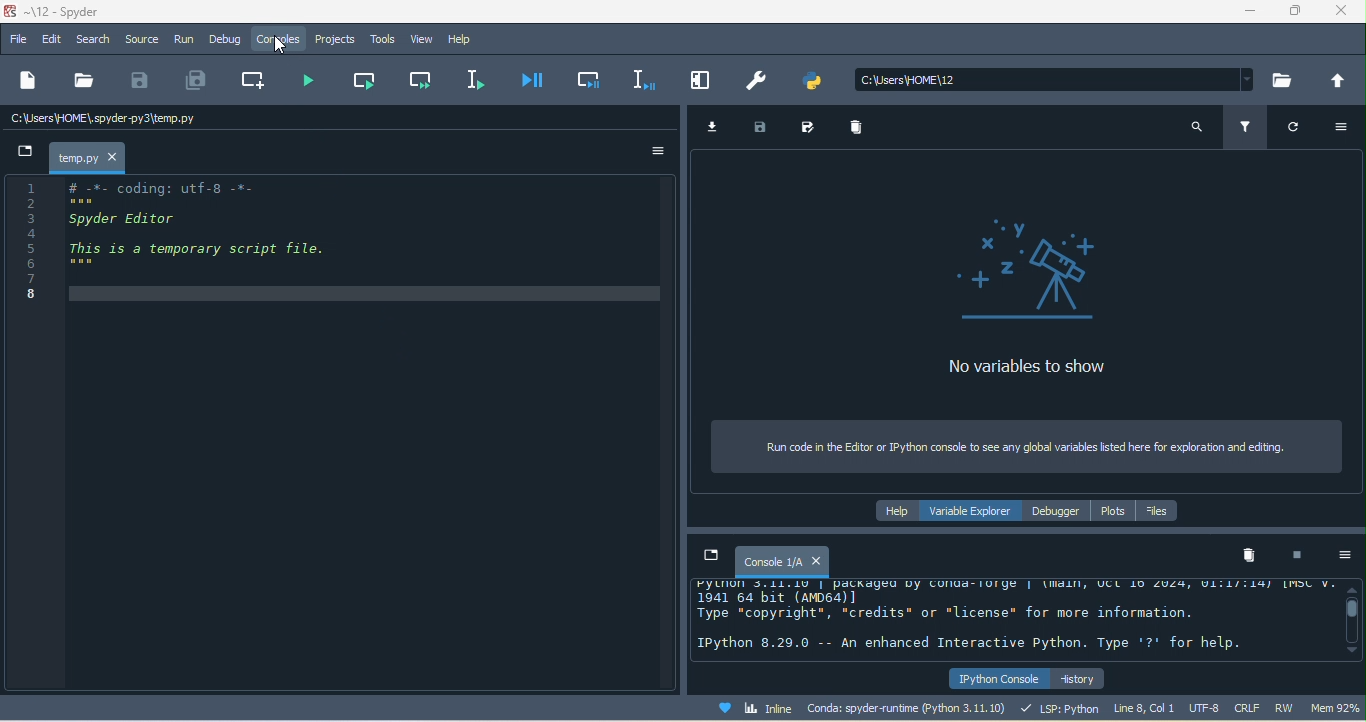 This screenshot has width=1366, height=722. I want to click on no variables to show, so click(1022, 297).